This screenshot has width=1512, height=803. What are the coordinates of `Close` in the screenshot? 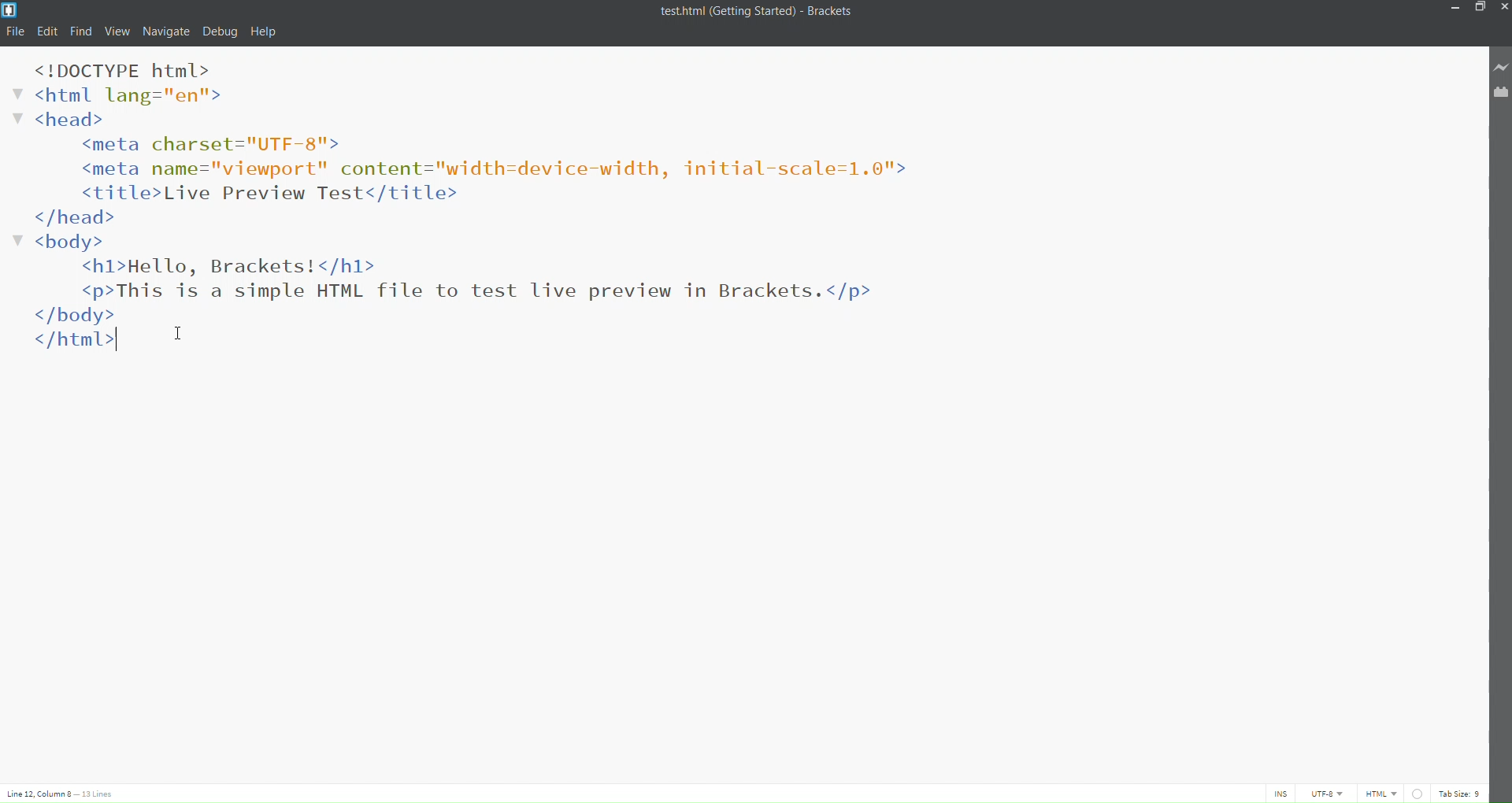 It's located at (1503, 6).